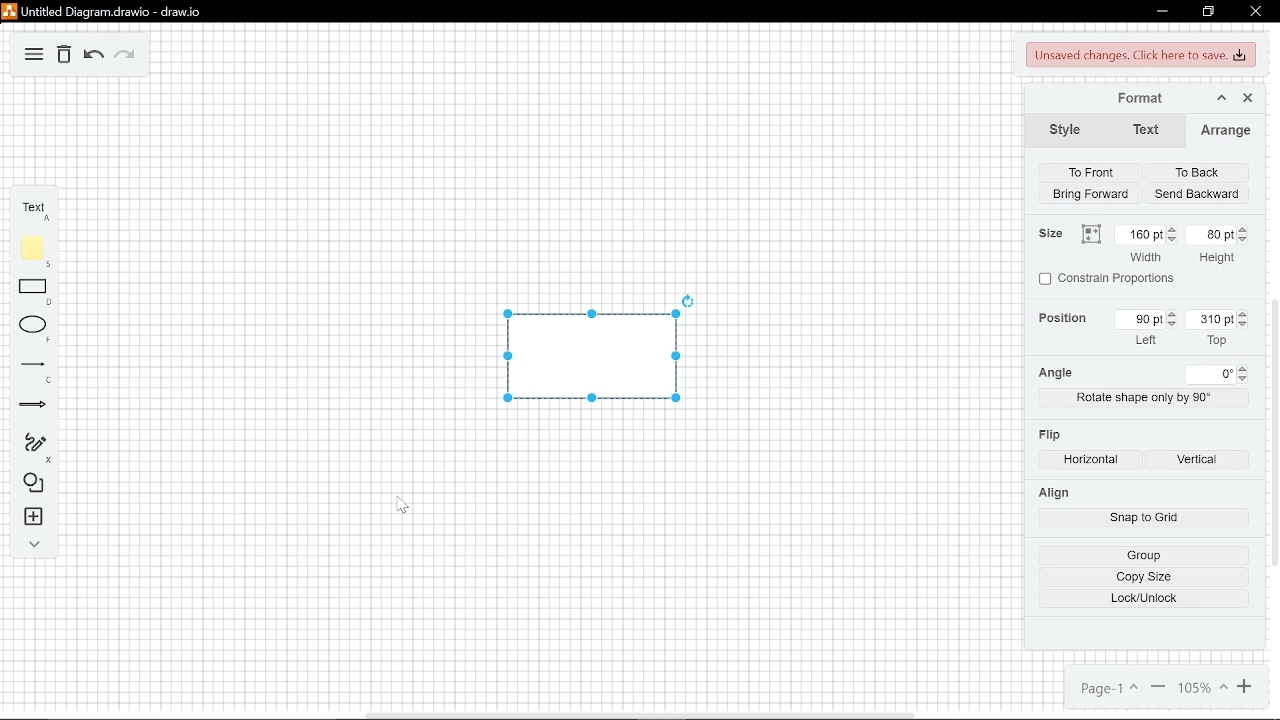  I want to click on restore down, so click(1206, 13).